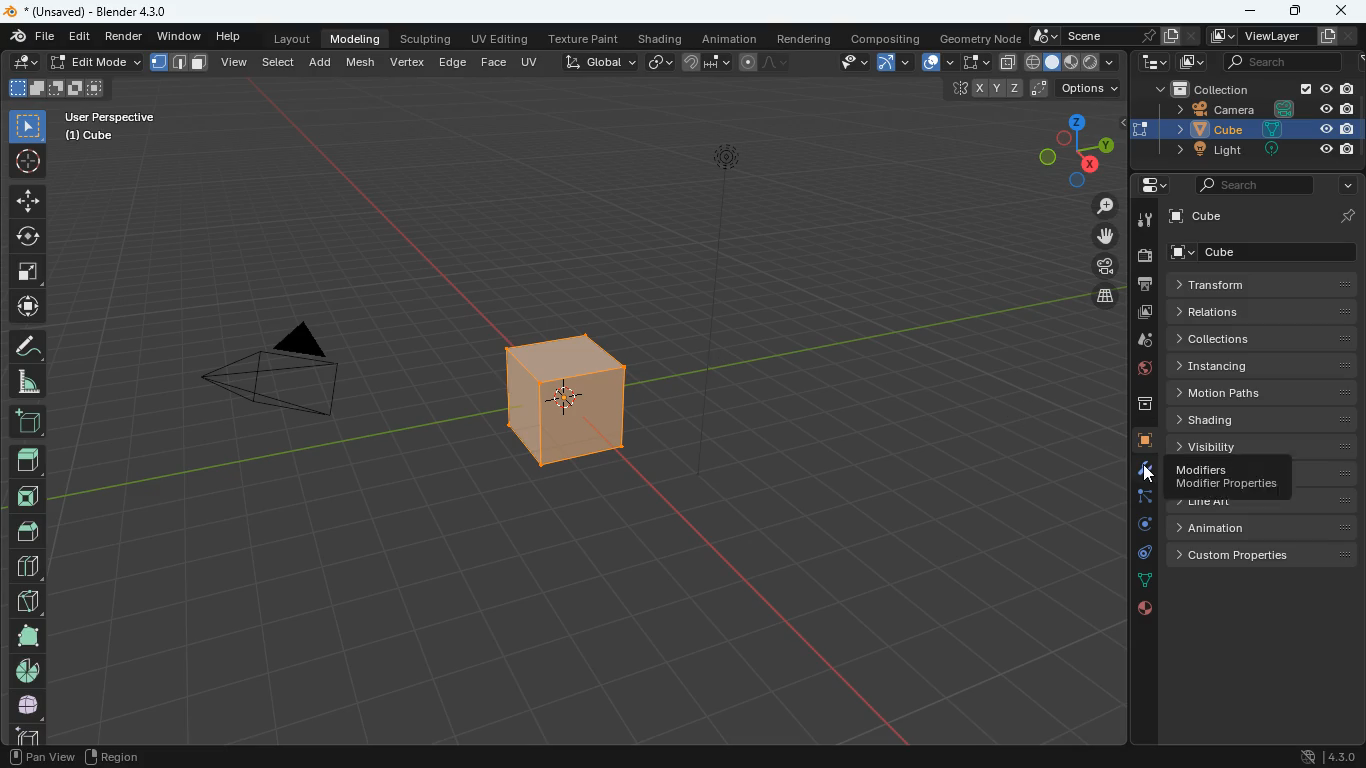 This screenshot has width=1366, height=768. I want to click on edit, so click(73, 63).